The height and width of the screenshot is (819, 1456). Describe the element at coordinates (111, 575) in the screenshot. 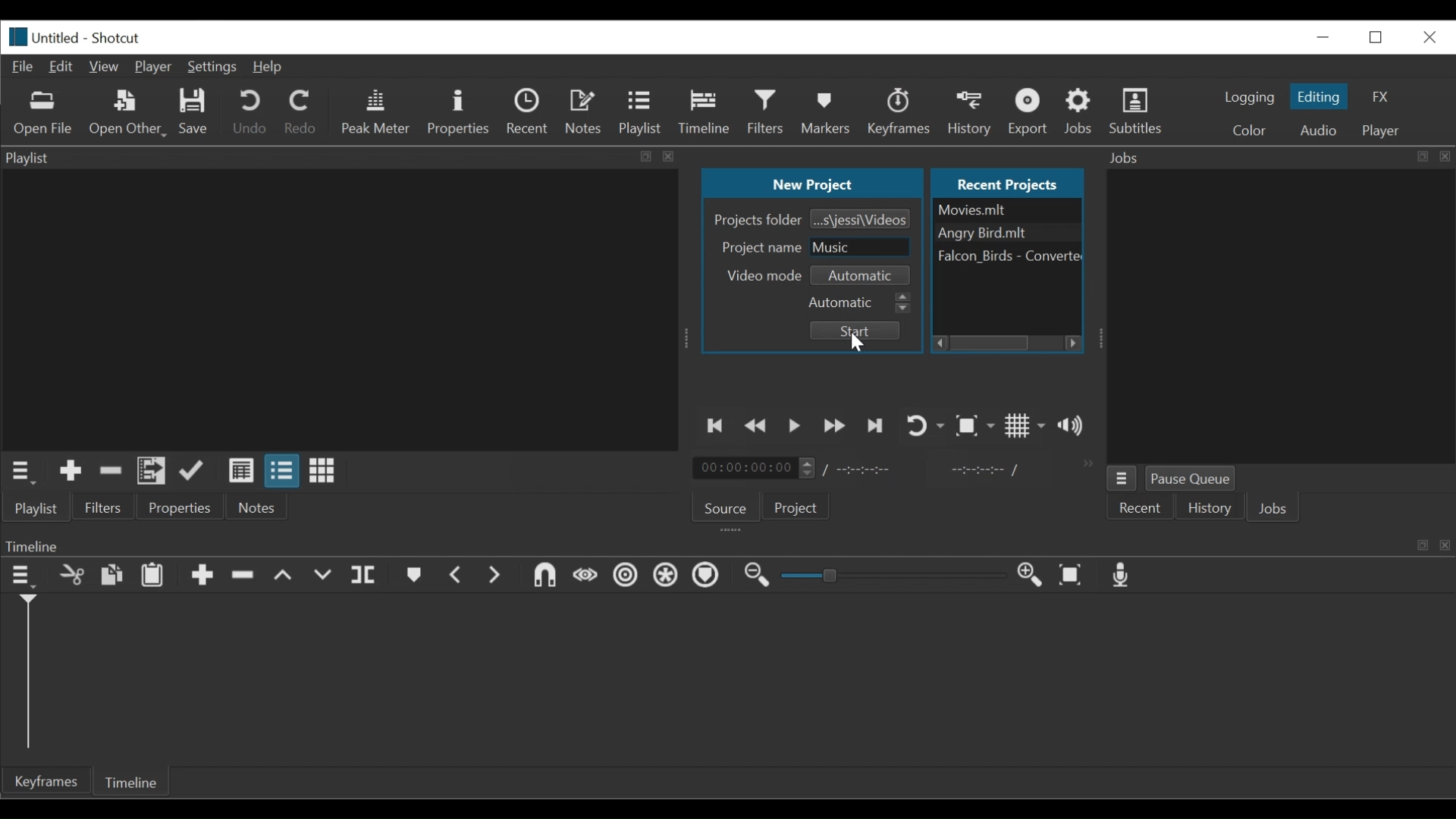

I see `Copy` at that location.